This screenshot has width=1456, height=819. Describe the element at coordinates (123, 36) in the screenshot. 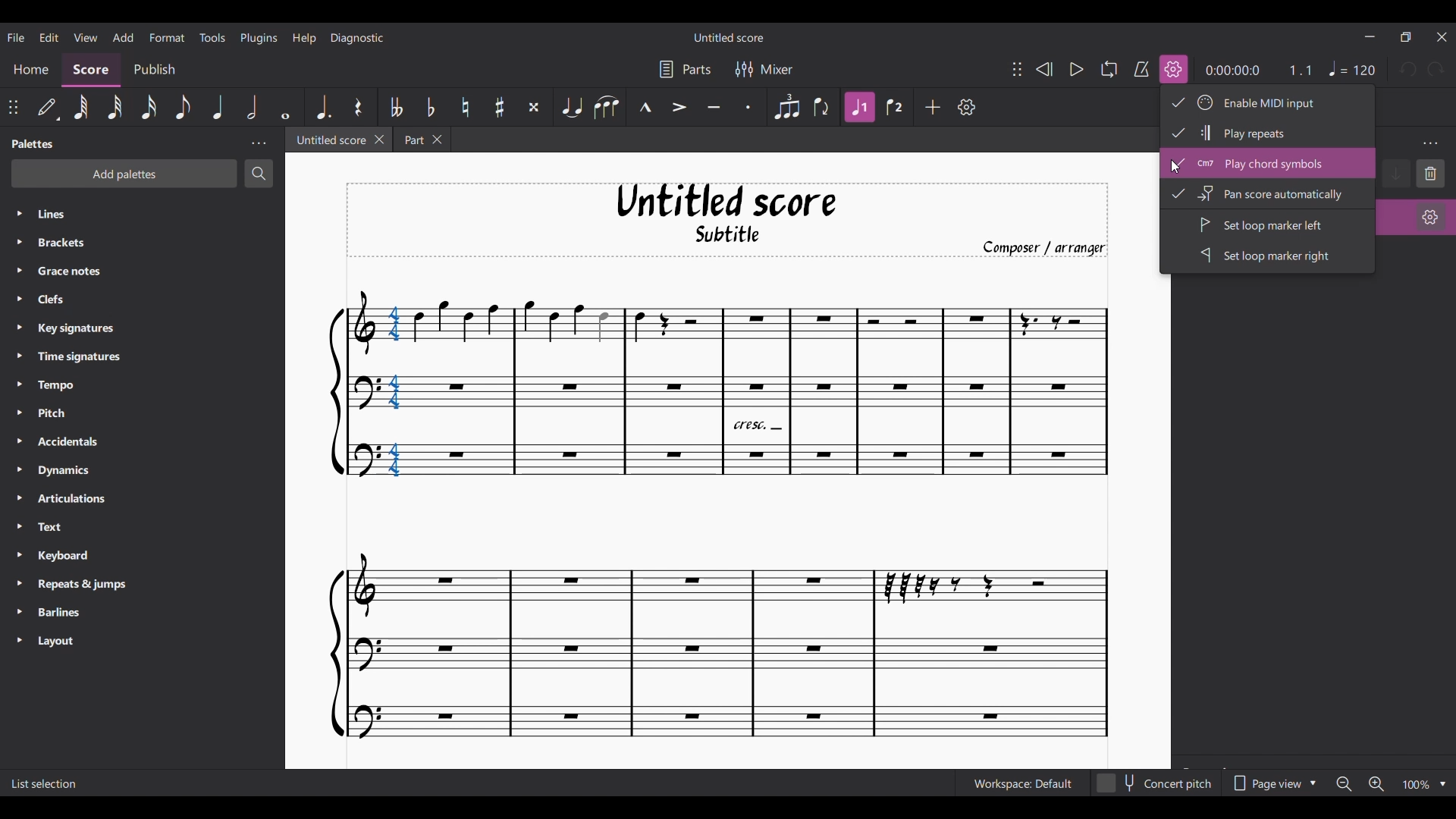

I see `Add menu` at that location.